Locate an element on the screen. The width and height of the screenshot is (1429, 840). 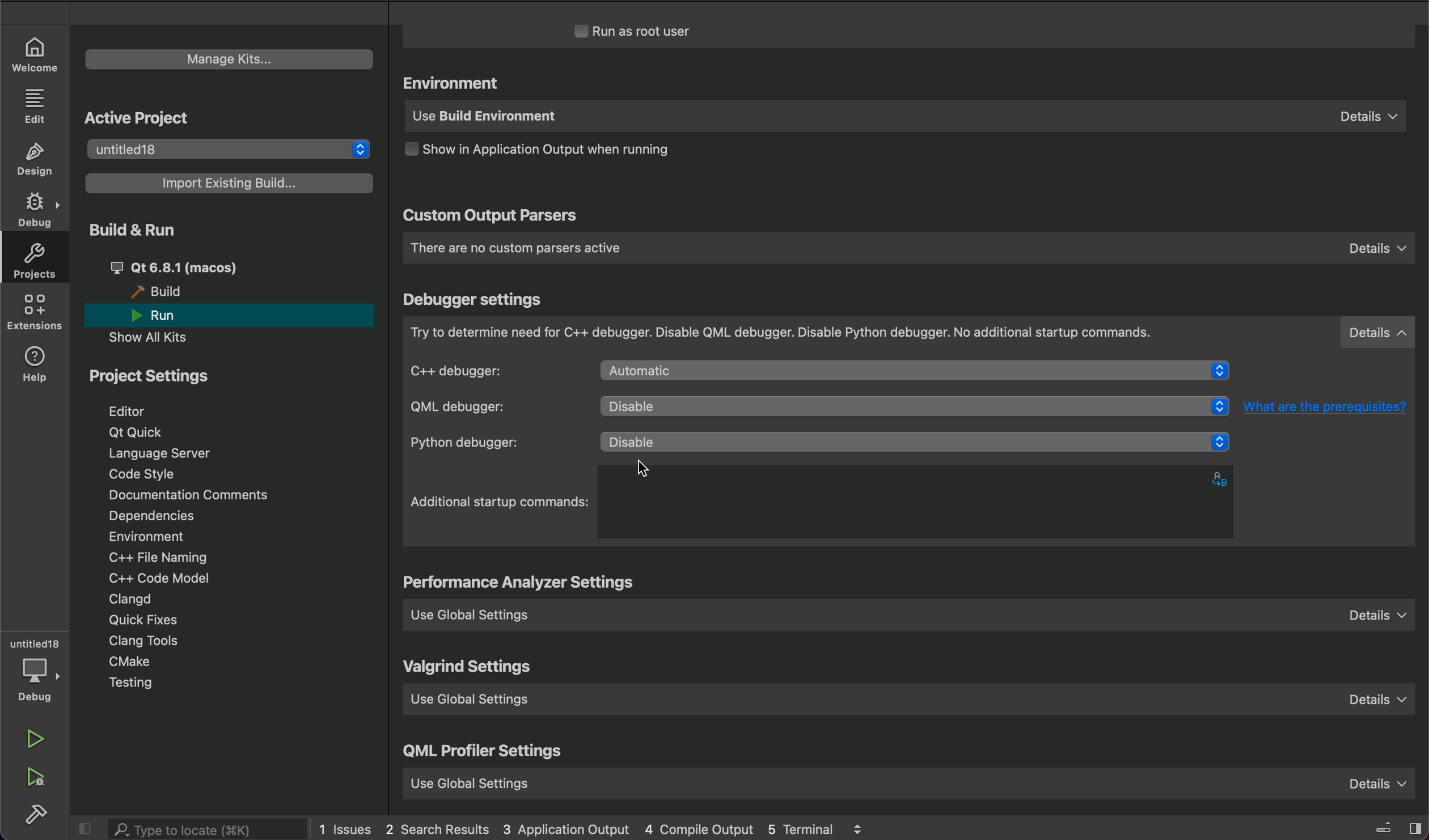
EDIT is located at coordinates (37, 105).